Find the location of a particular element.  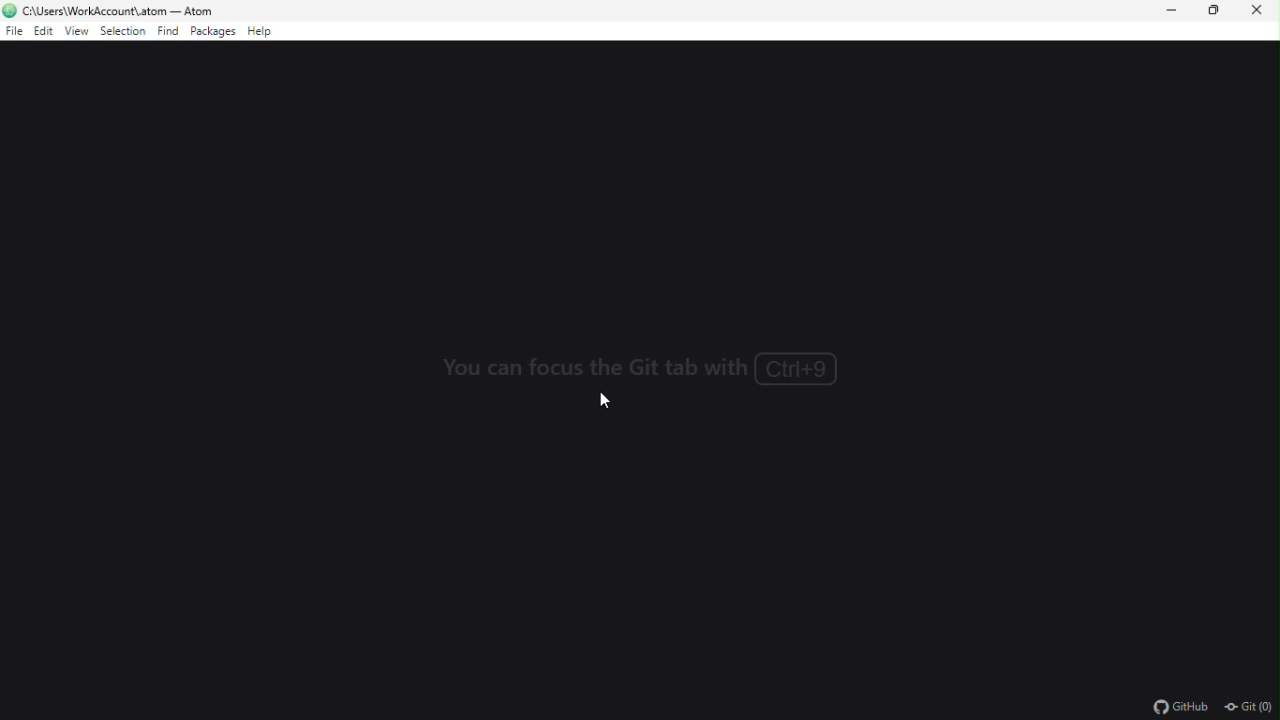

You can focus the Git tab with Ctrl+9 is located at coordinates (635, 367).